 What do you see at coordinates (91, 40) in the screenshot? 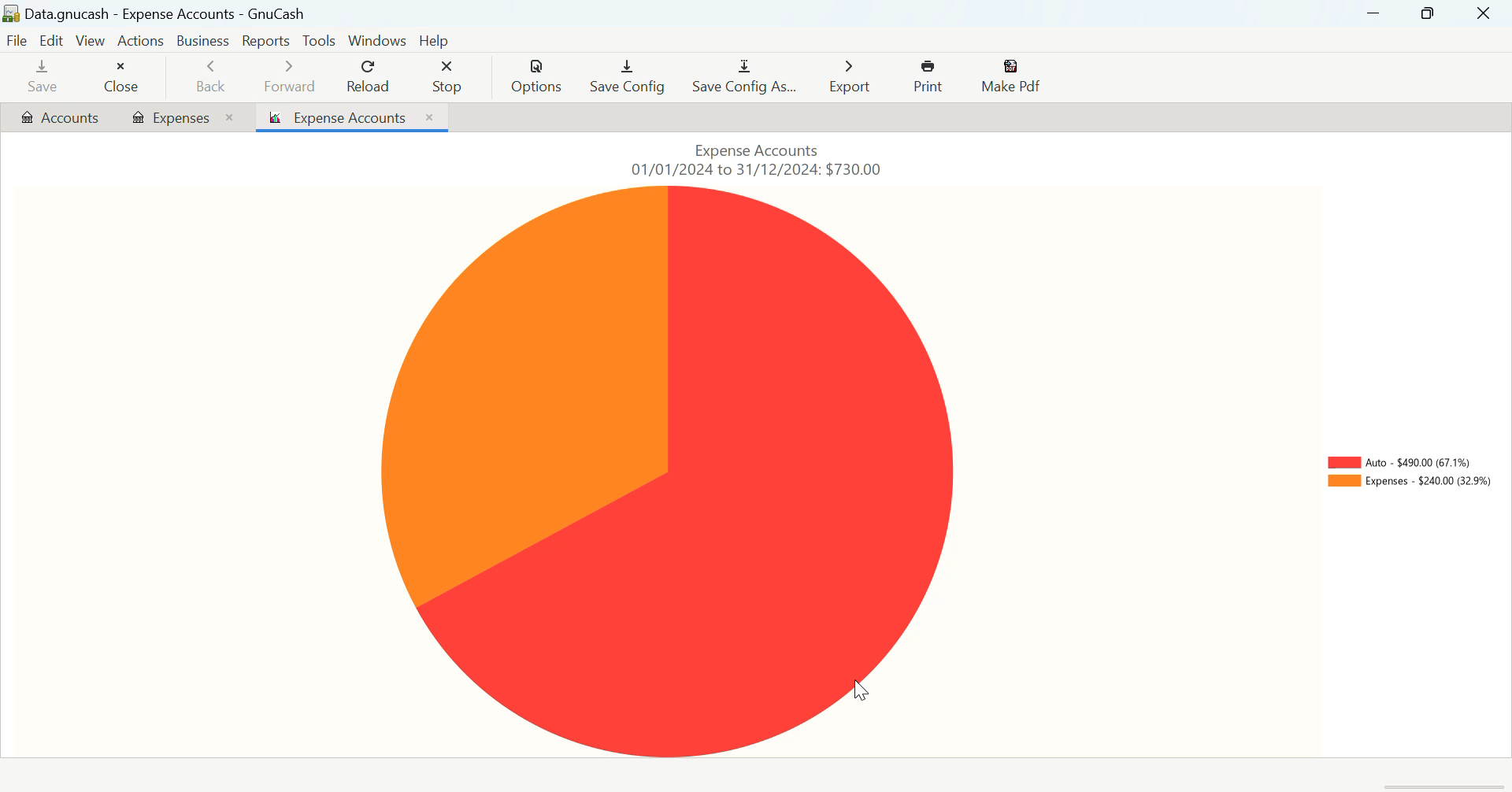
I see `View` at bounding box center [91, 40].